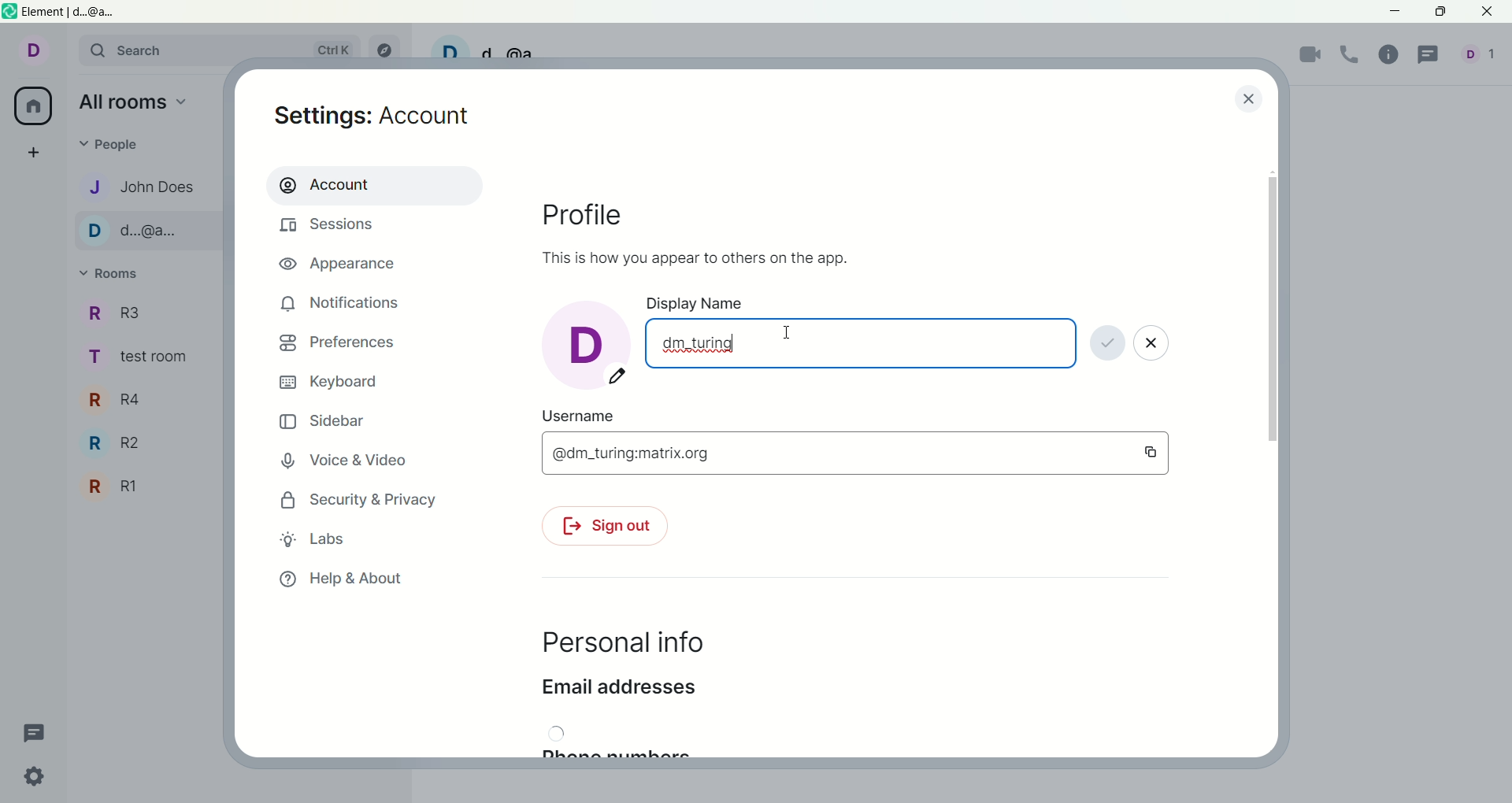 This screenshot has width=1512, height=803. Describe the element at coordinates (585, 342) in the screenshot. I see `d` at that location.